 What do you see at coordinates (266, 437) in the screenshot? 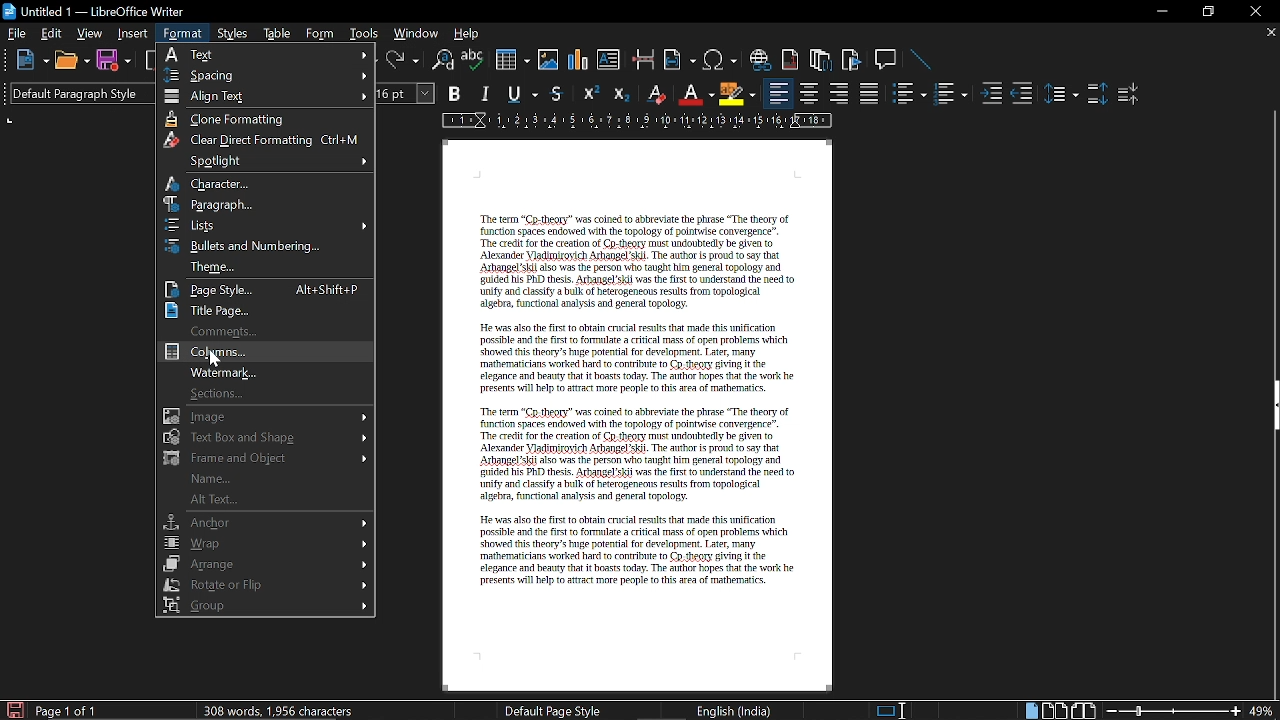
I see `This box and shape` at bounding box center [266, 437].